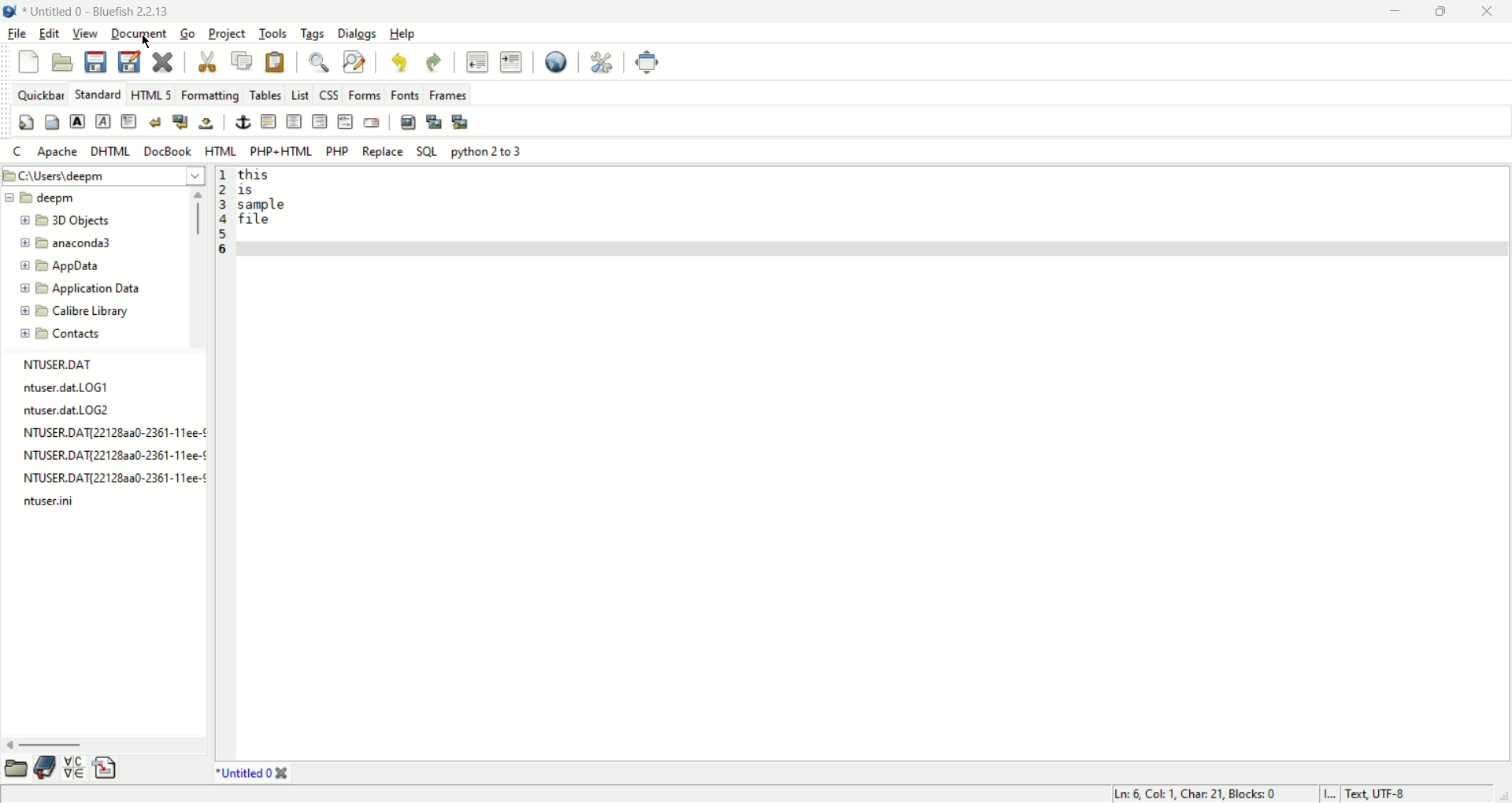 This screenshot has height=803, width=1512. I want to click on redo, so click(435, 62).